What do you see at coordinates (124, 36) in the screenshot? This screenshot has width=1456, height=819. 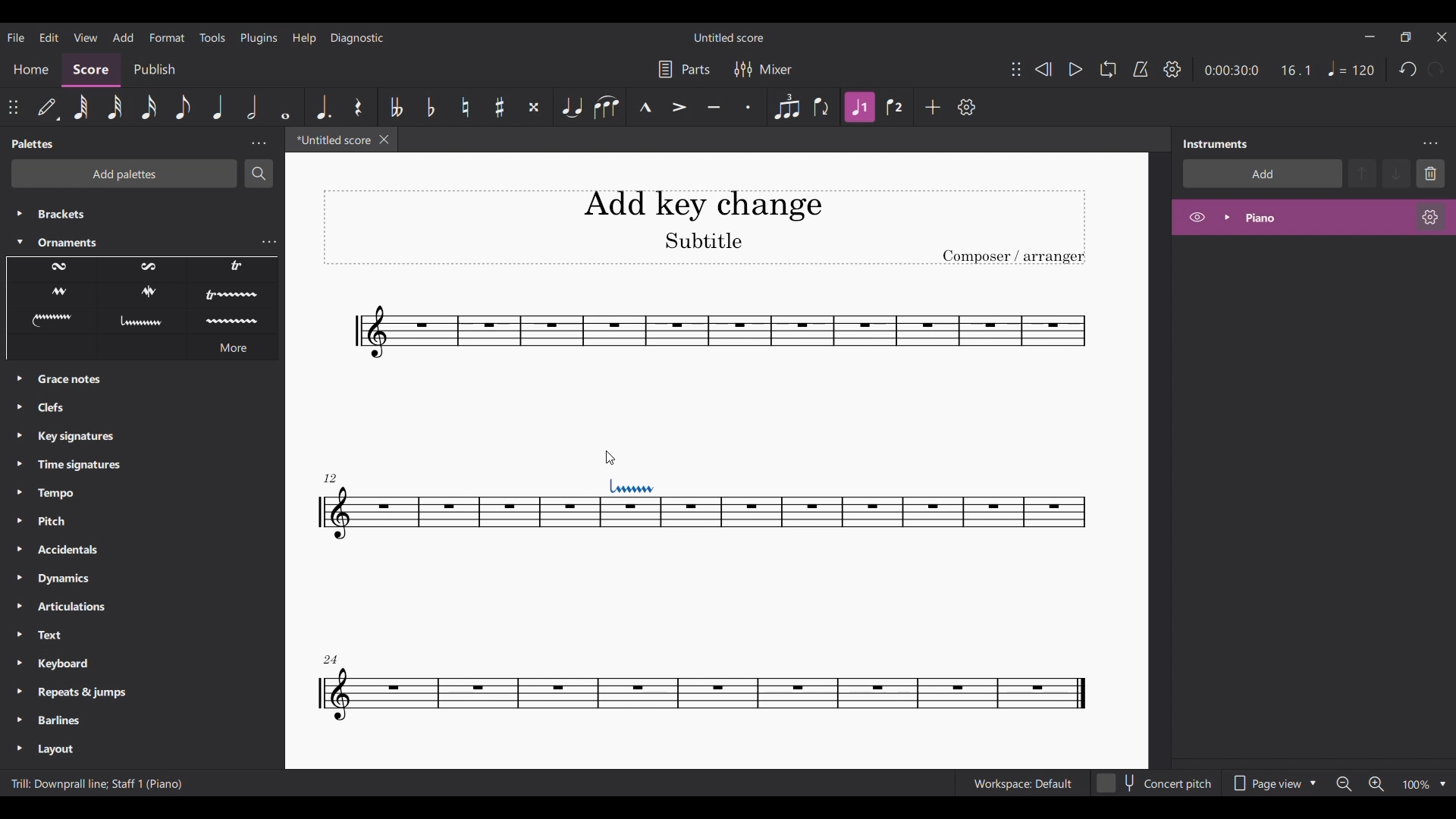 I see `Add menu` at bounding box center [124, 36].